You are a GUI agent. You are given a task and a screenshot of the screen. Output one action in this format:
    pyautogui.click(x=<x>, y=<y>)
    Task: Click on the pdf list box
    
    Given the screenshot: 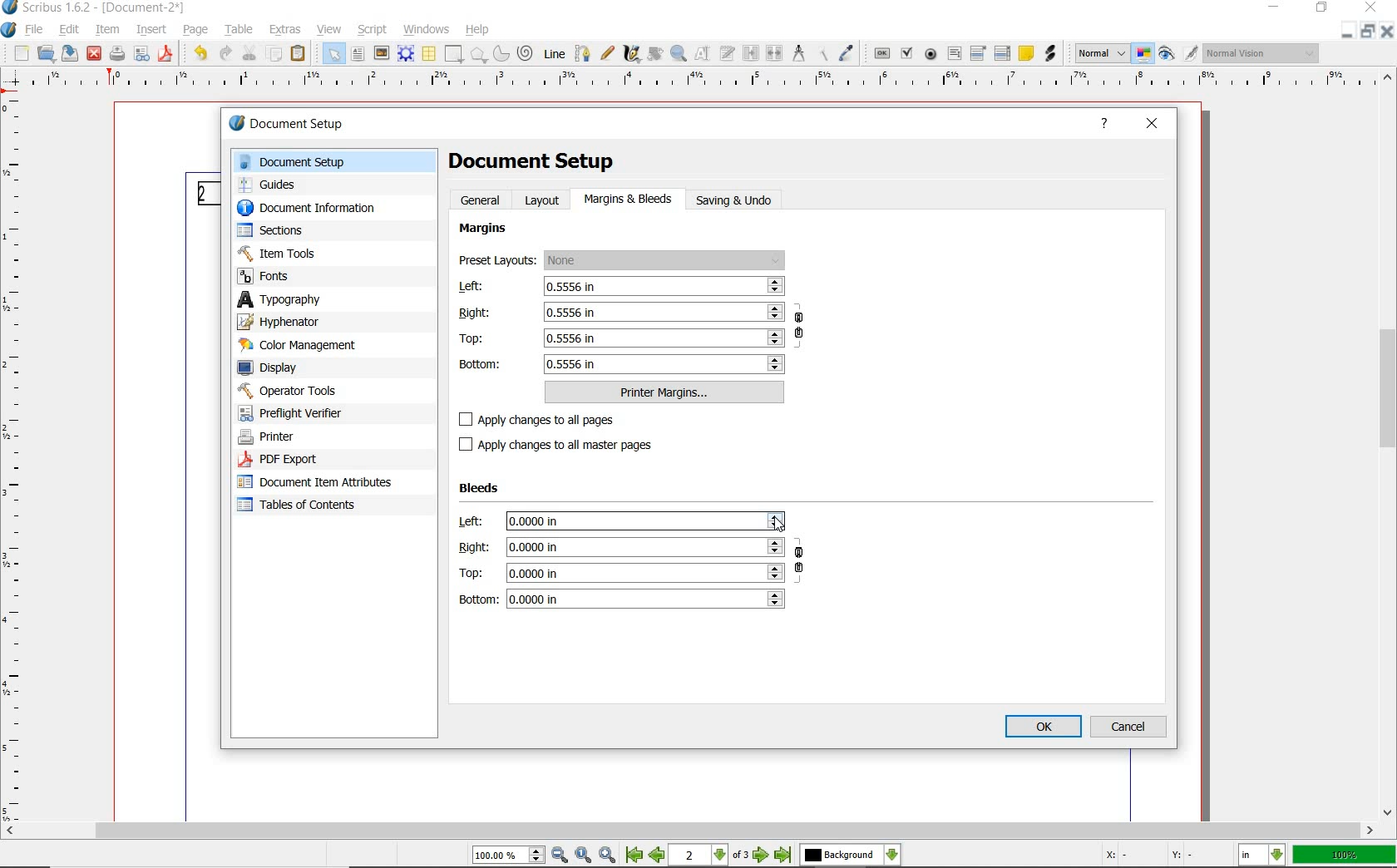 What is the action you would take?
    pyautogui.click(x=1003, y=54)
    